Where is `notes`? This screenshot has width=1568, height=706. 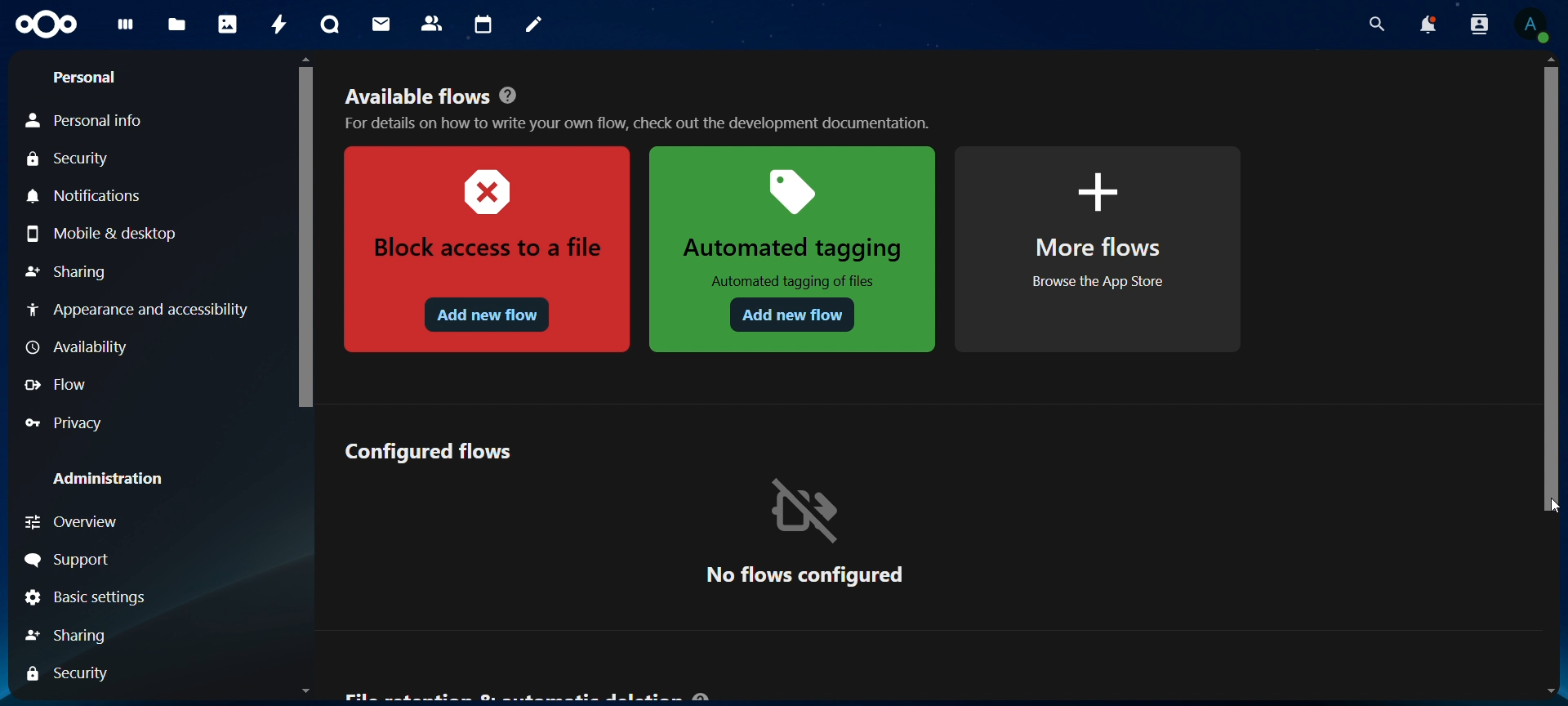
notes is located at coordinates (537, 25).